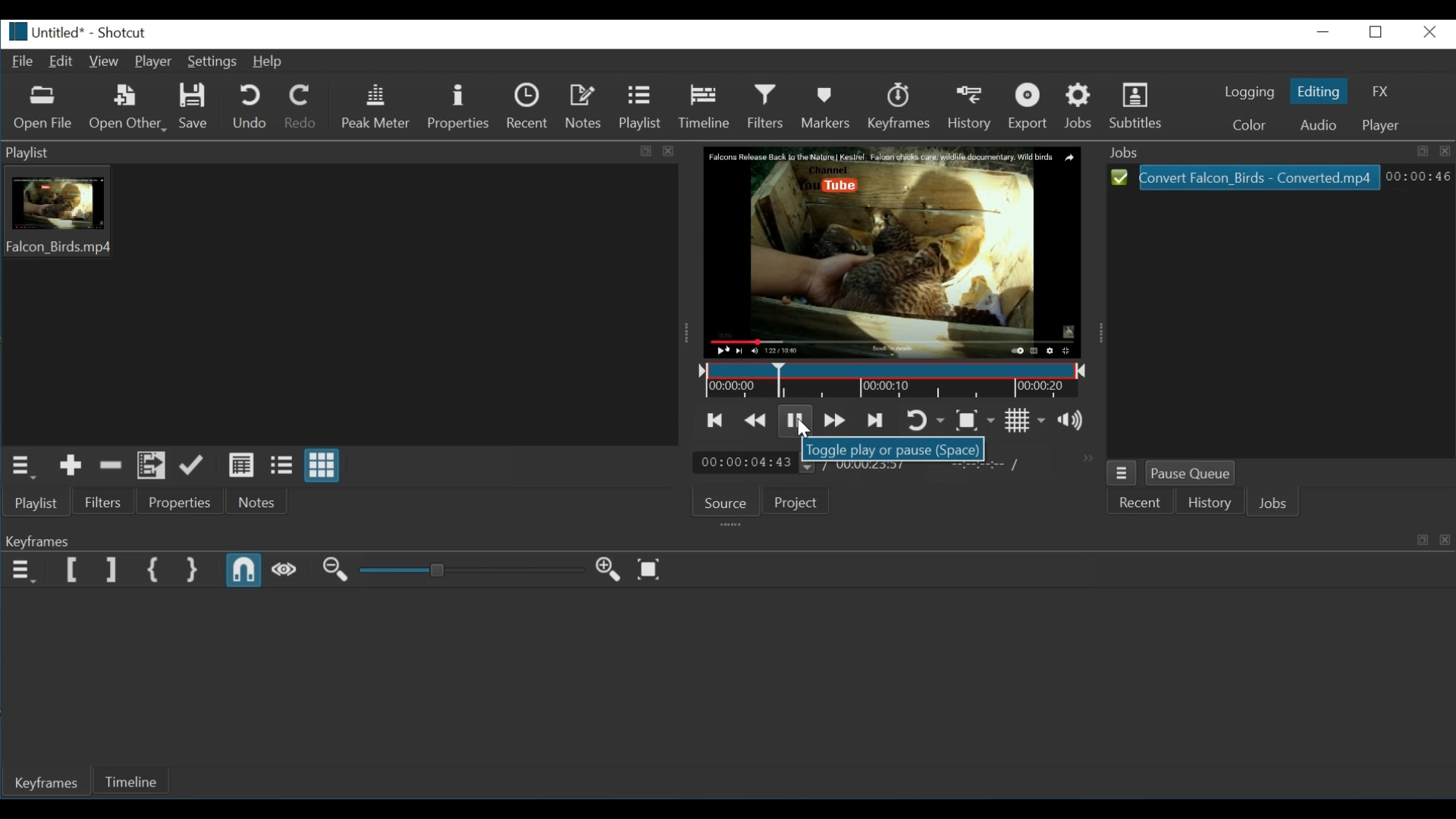 The width and height of the screenshot is (1456, 819). Describe the element at coordinates (111, 466) in the screenshot. I see `Remove cut` at that location.